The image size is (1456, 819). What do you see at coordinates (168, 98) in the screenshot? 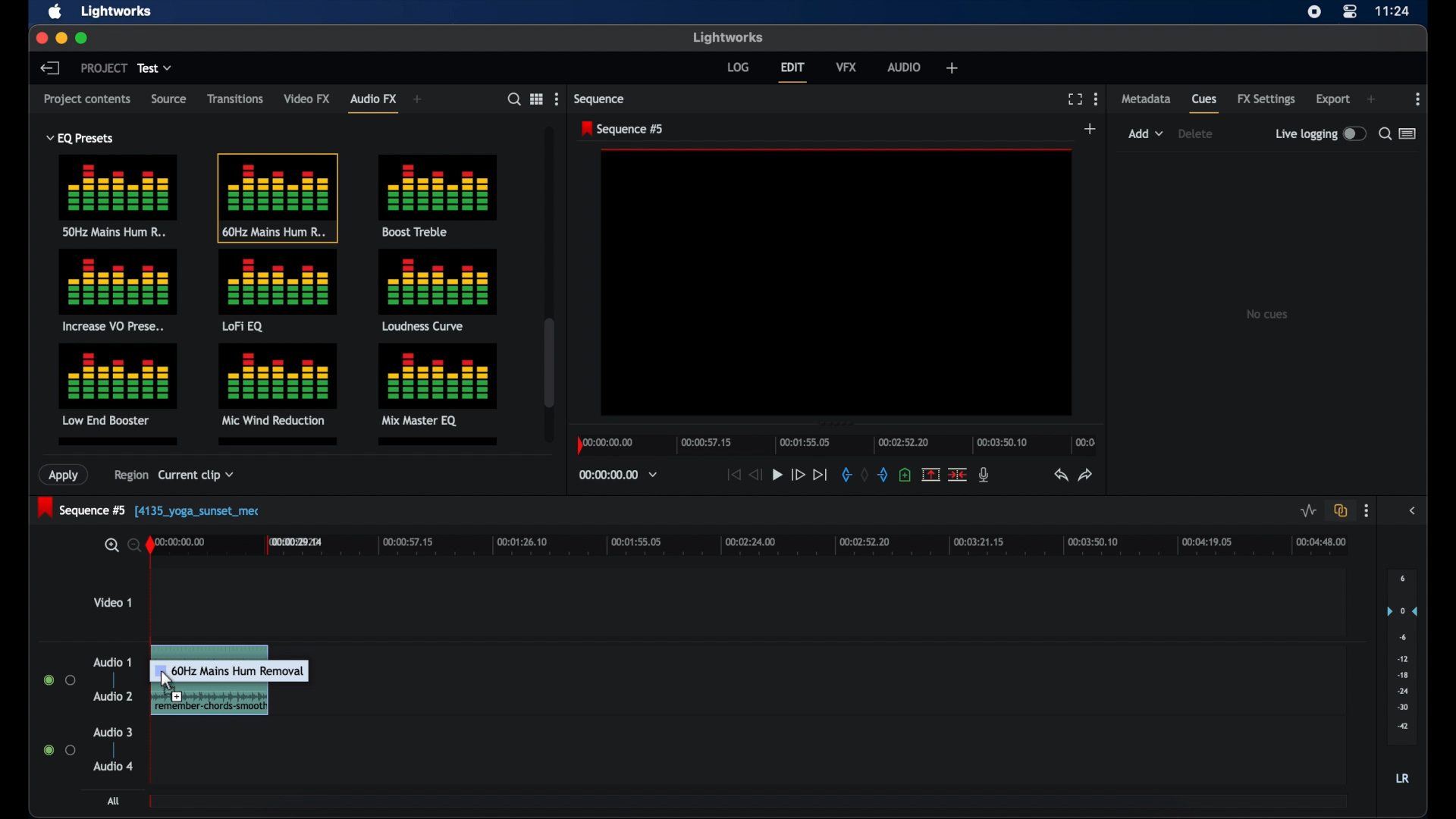
I see `source` at bounding box center [168, 98].